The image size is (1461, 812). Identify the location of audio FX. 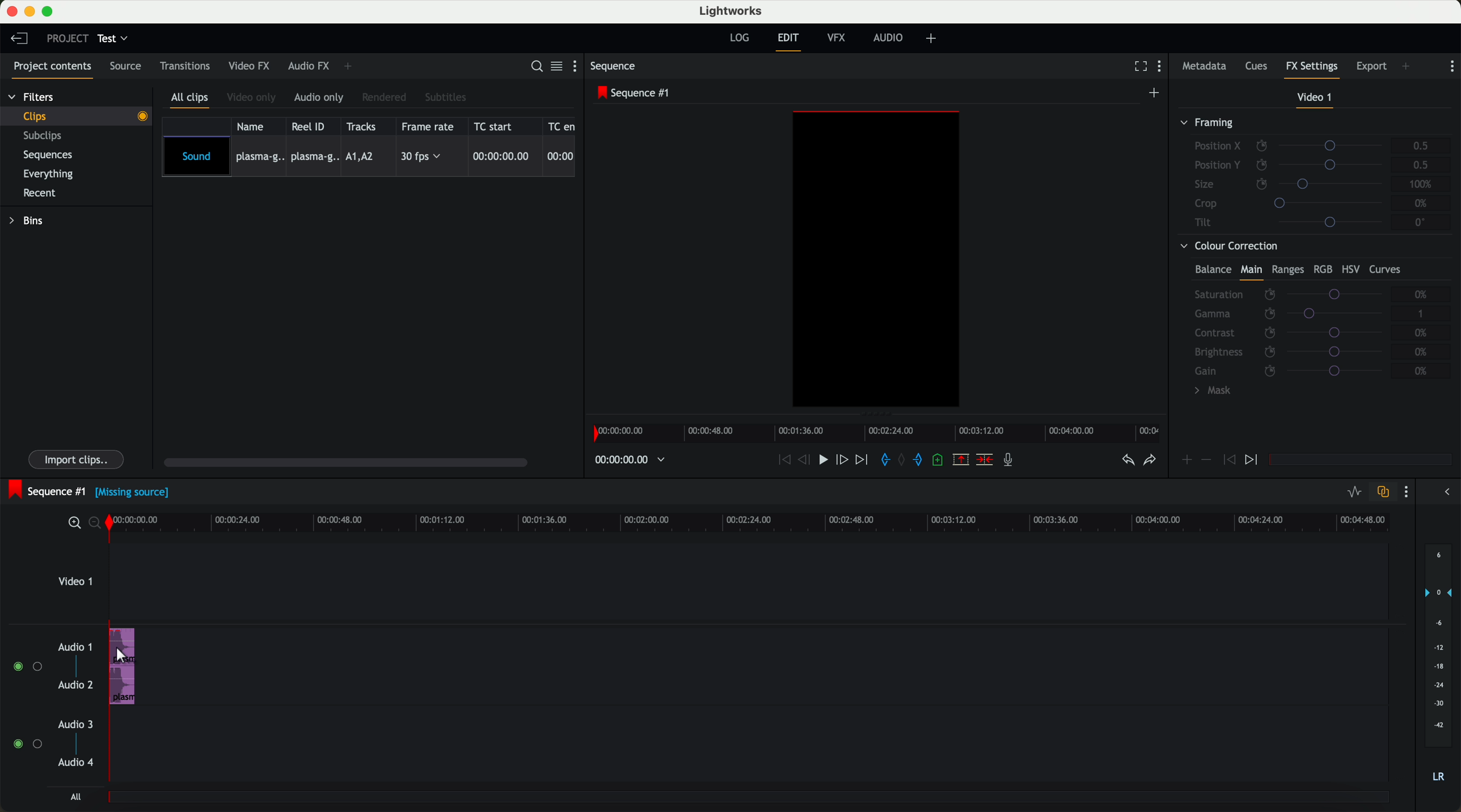
(308, 66).